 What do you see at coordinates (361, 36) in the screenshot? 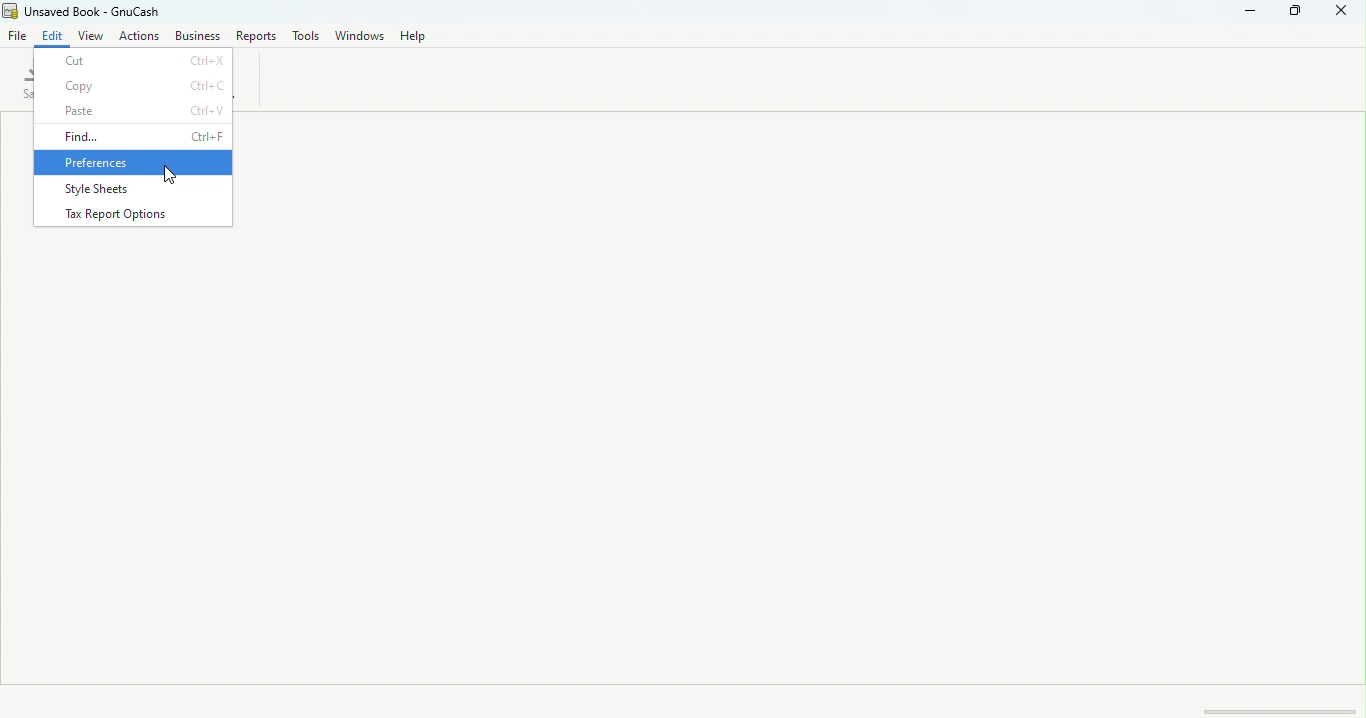
I see `Windows` at bounding box center [361, 36].